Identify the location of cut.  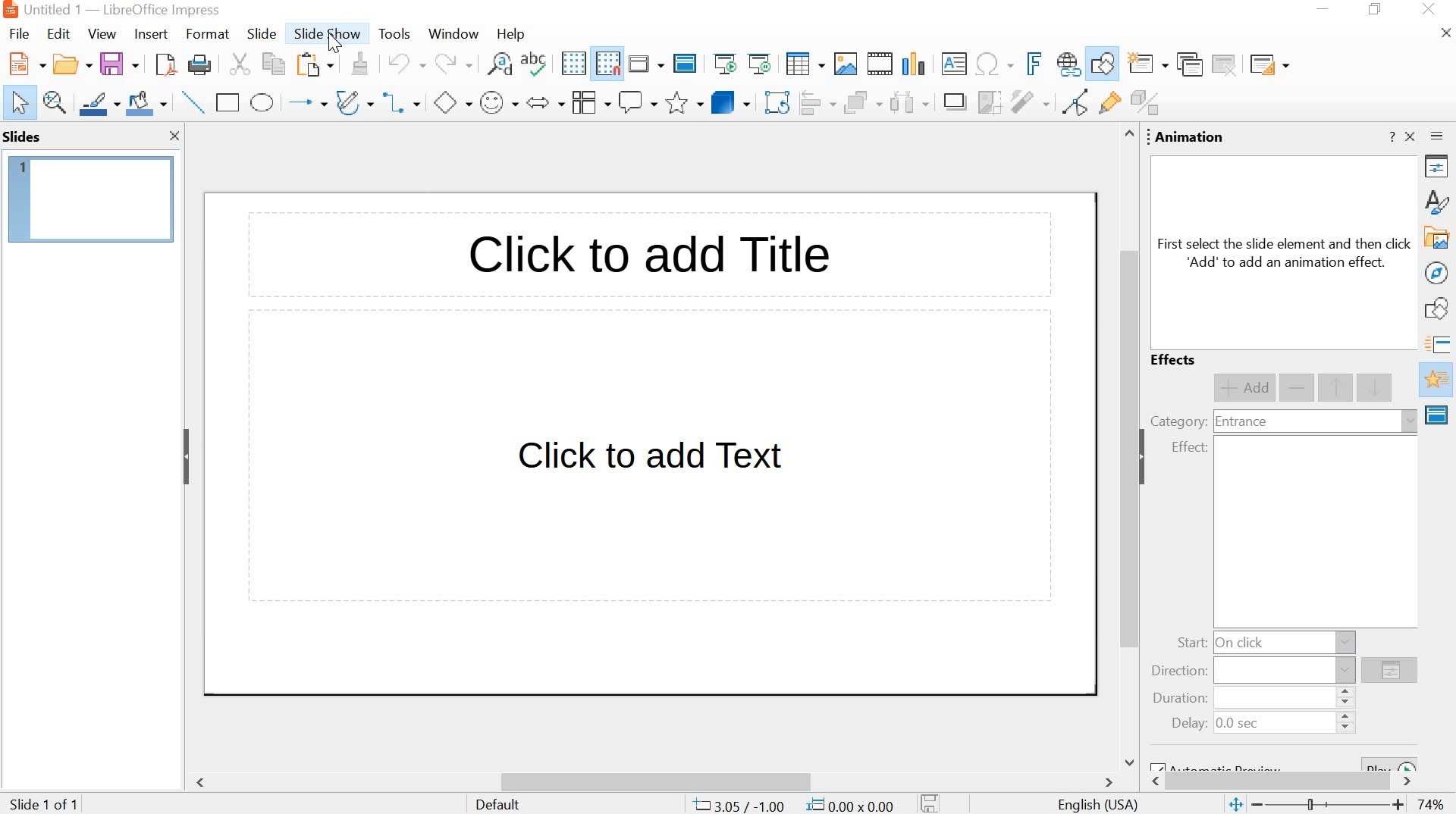
(238, 65).